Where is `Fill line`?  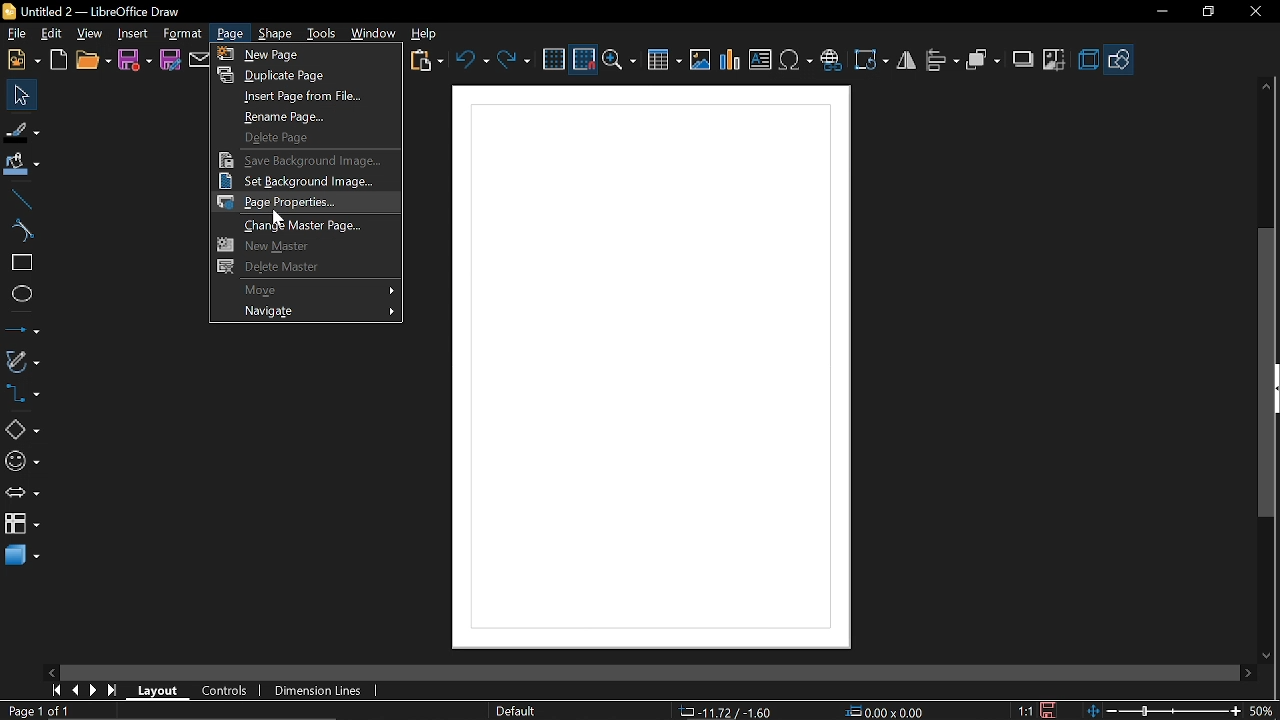
Fill line is located at coordinates (22, 130).